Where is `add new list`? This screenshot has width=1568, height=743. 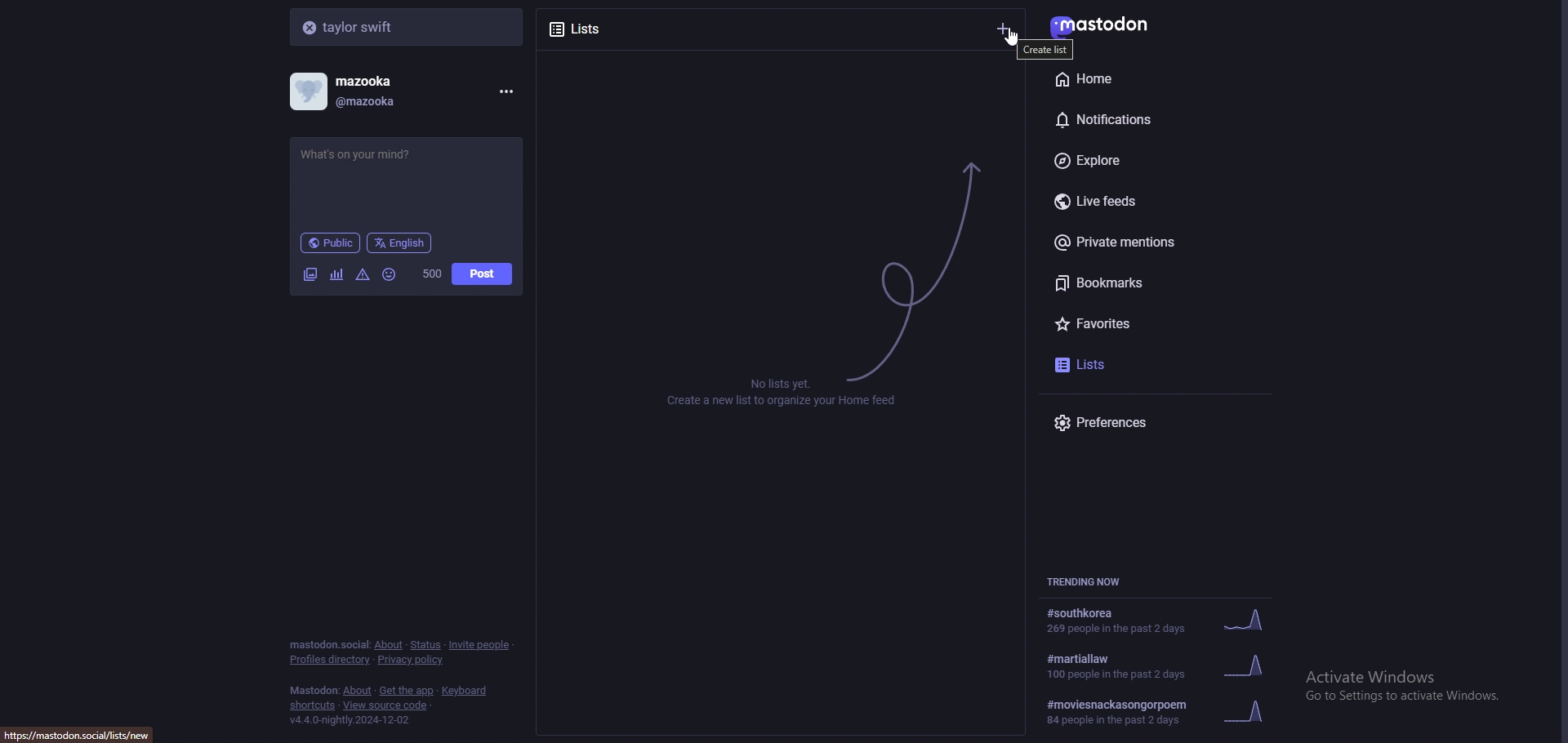
add new list is located at coordinates (1004, 29).